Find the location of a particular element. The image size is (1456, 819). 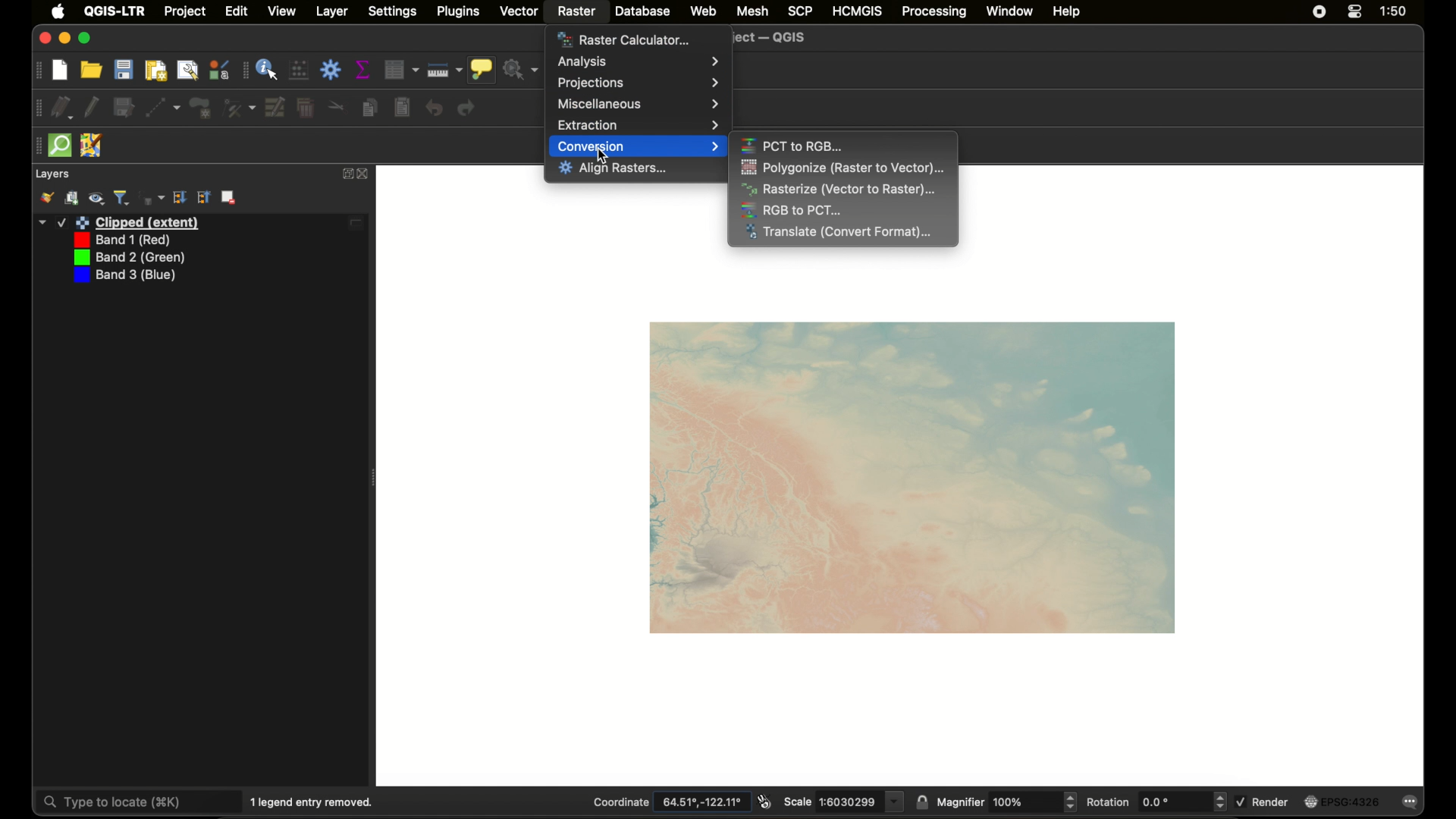

mesh is located at coordinates (752, 11).